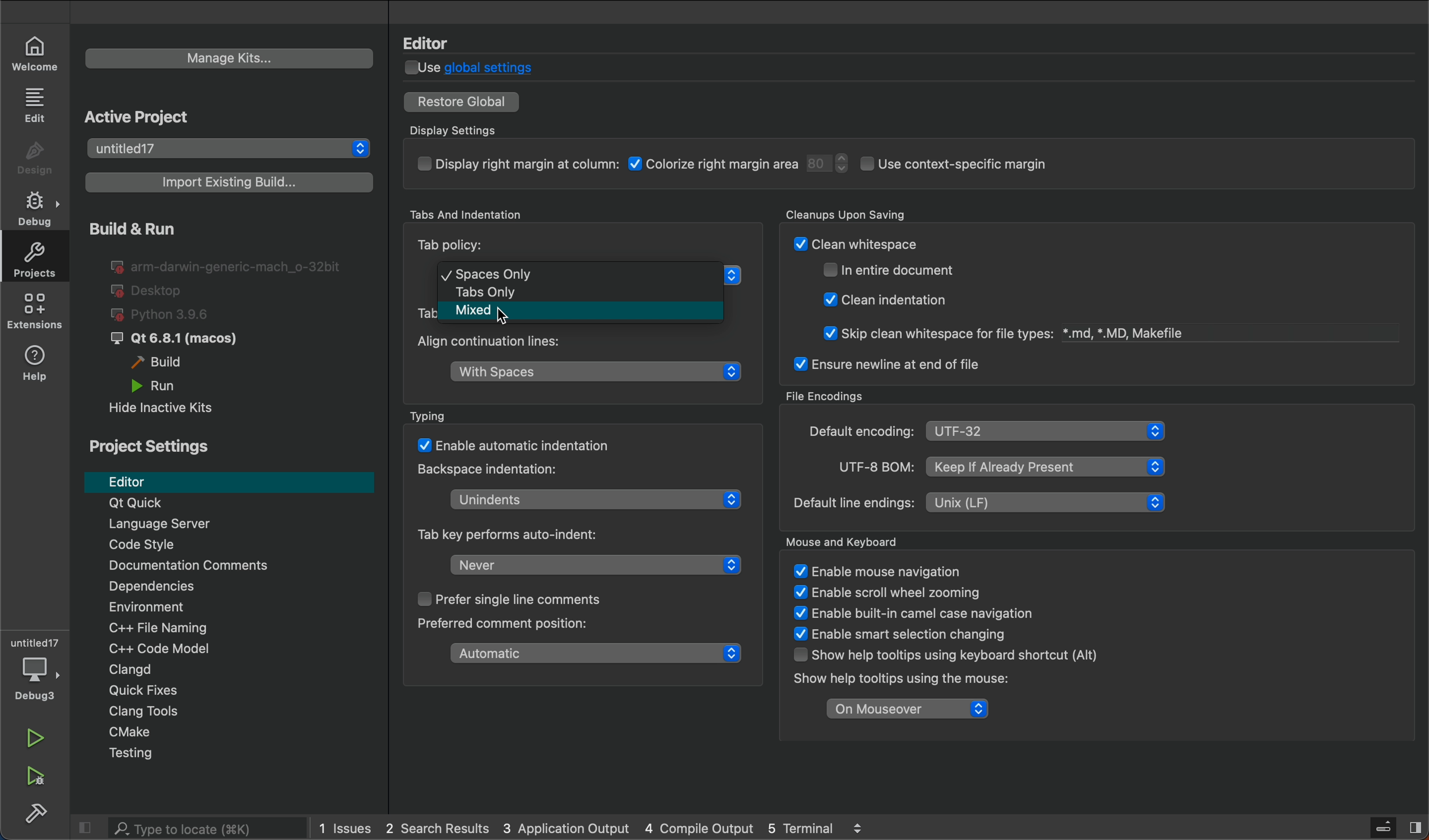 Image resolution: width=1429 pixels, height=840 pixels. Describe the element at coordinates (495, 470) in the screenshot. I see `backspace indentation` at that location.